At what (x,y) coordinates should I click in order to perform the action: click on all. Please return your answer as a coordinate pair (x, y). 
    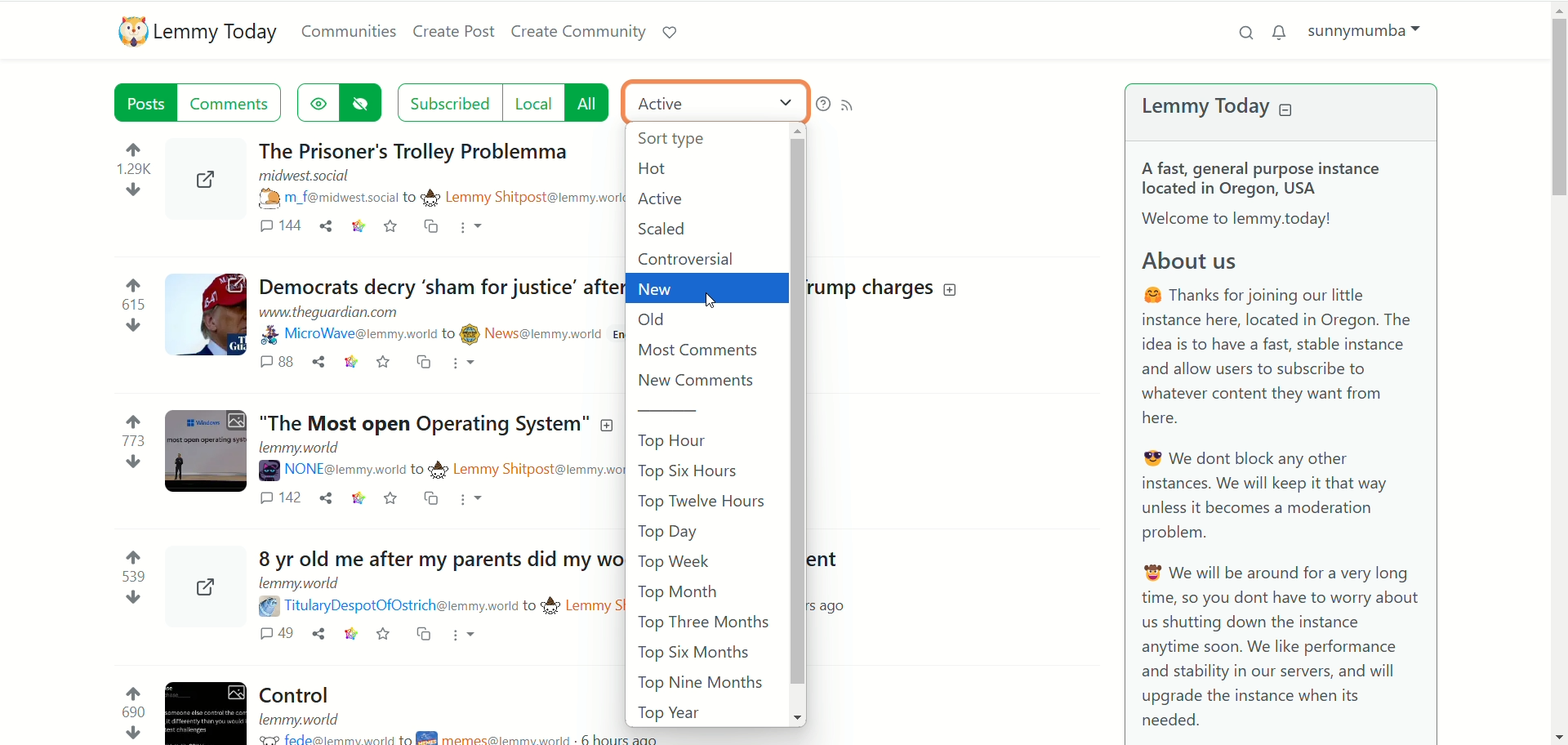
    Looking at the image, I should click on (590, 103).